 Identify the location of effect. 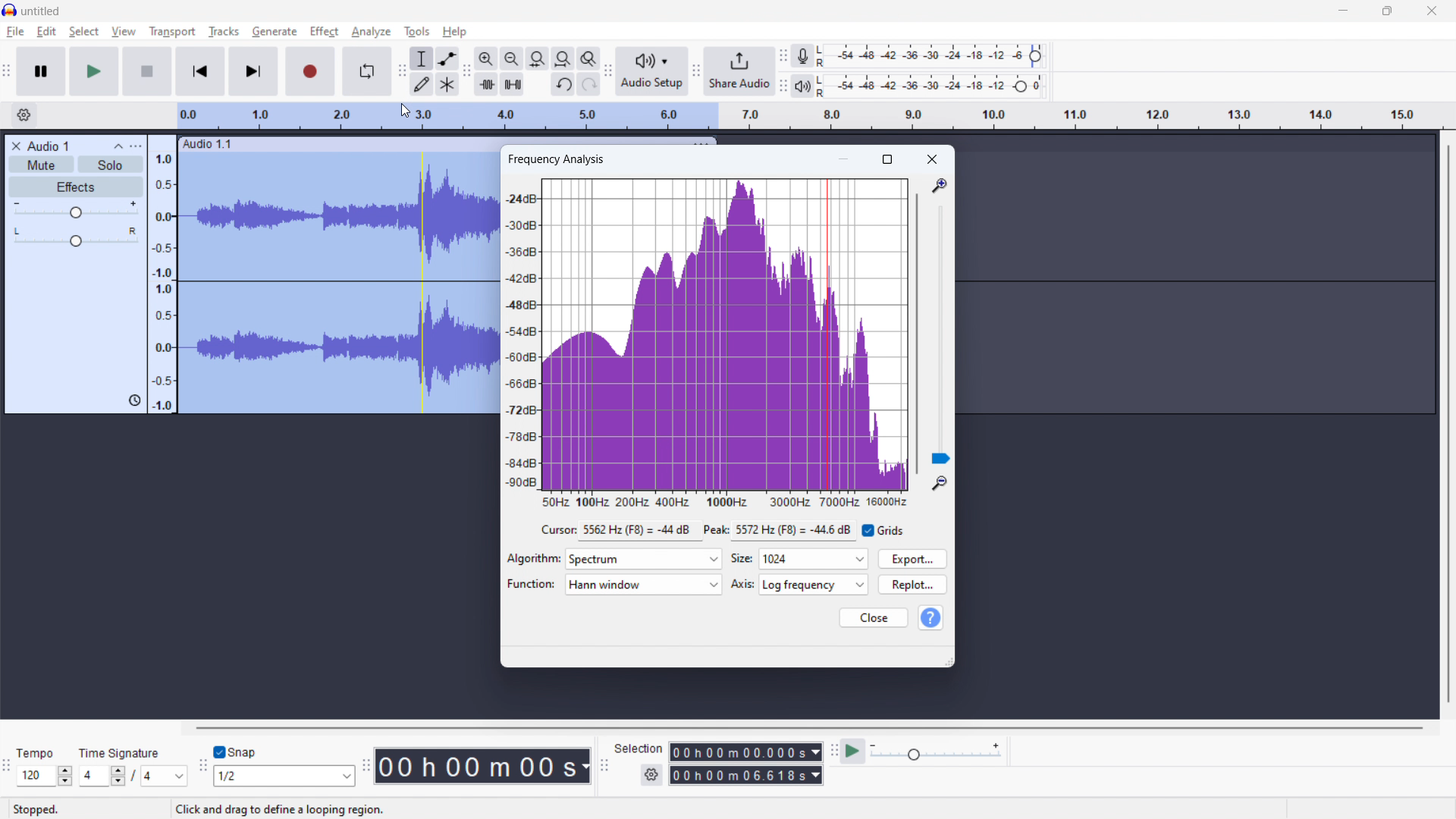
(324, 31).